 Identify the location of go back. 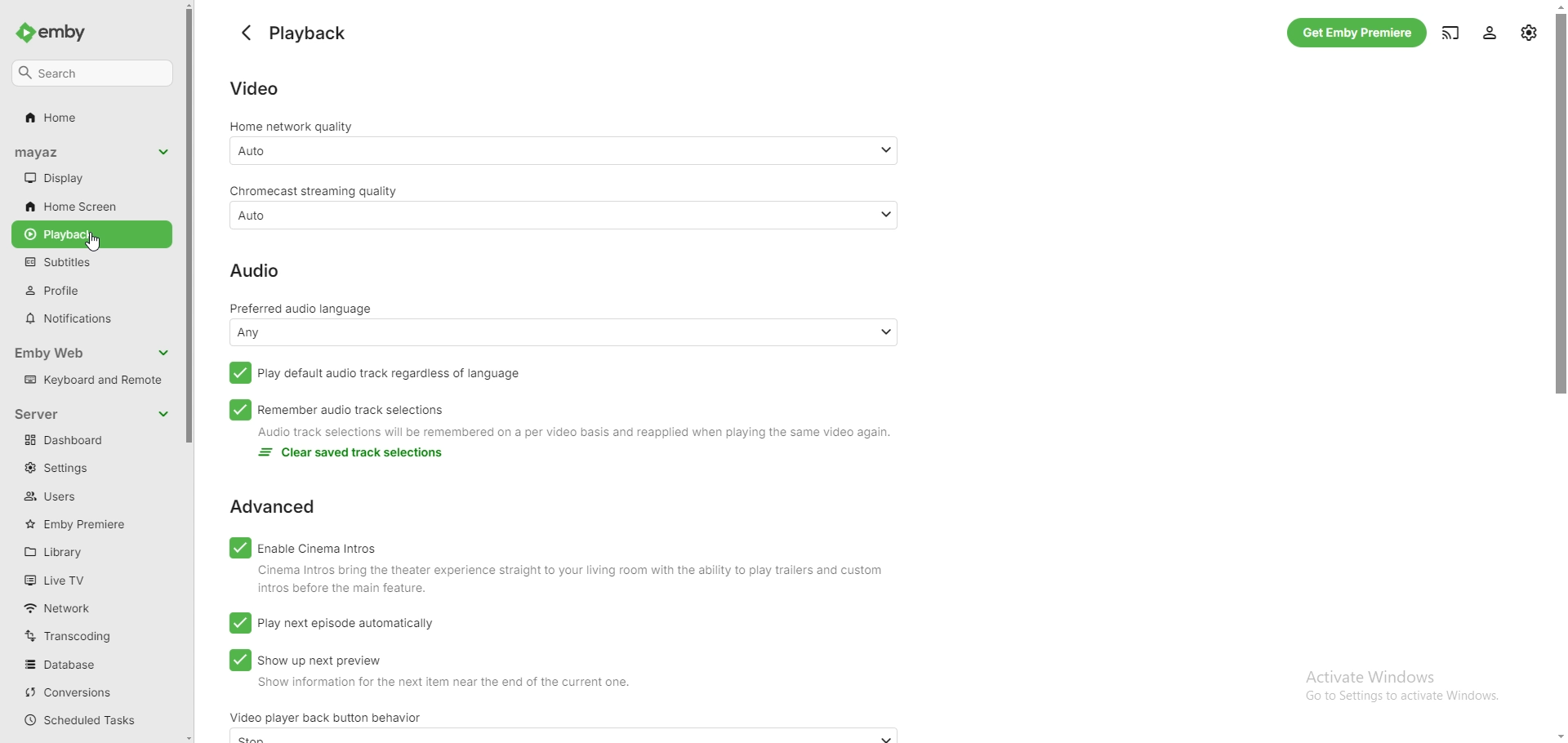
(247, 33).